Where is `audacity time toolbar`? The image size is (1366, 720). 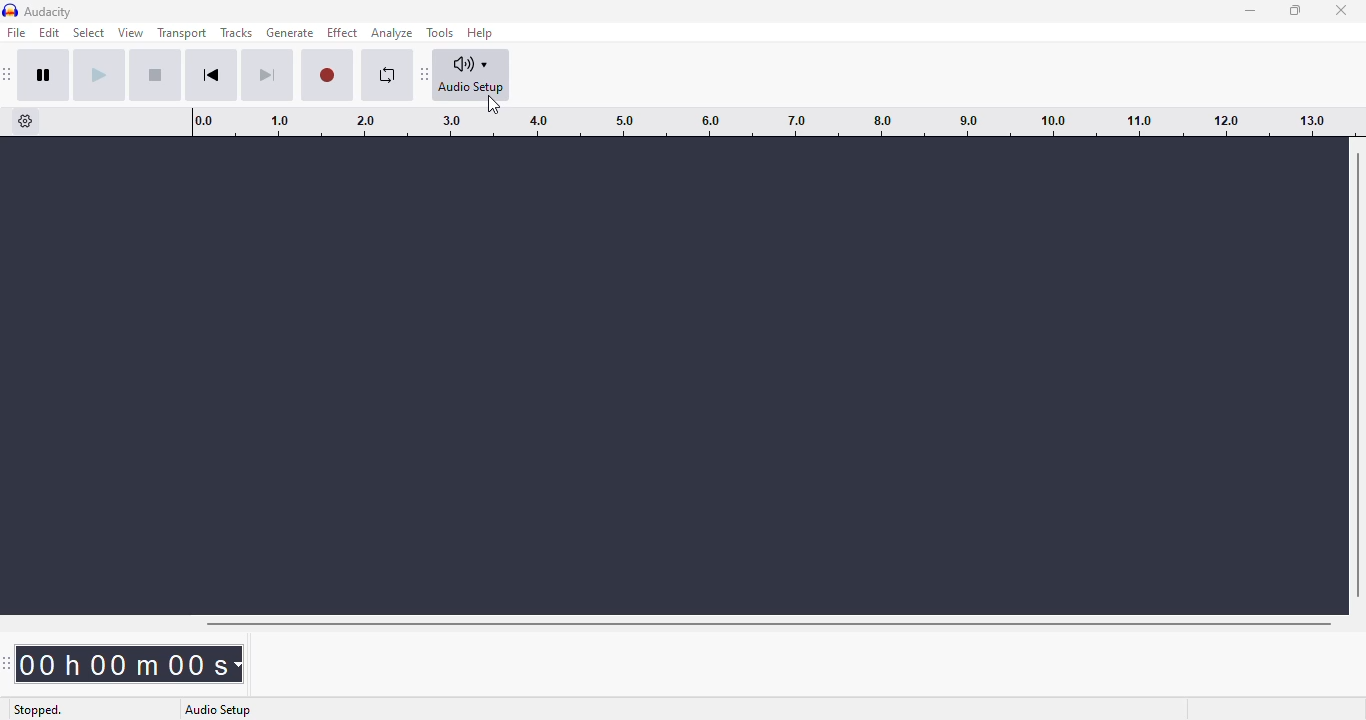
audacity time toolbar is located at coordinates (9, 663).